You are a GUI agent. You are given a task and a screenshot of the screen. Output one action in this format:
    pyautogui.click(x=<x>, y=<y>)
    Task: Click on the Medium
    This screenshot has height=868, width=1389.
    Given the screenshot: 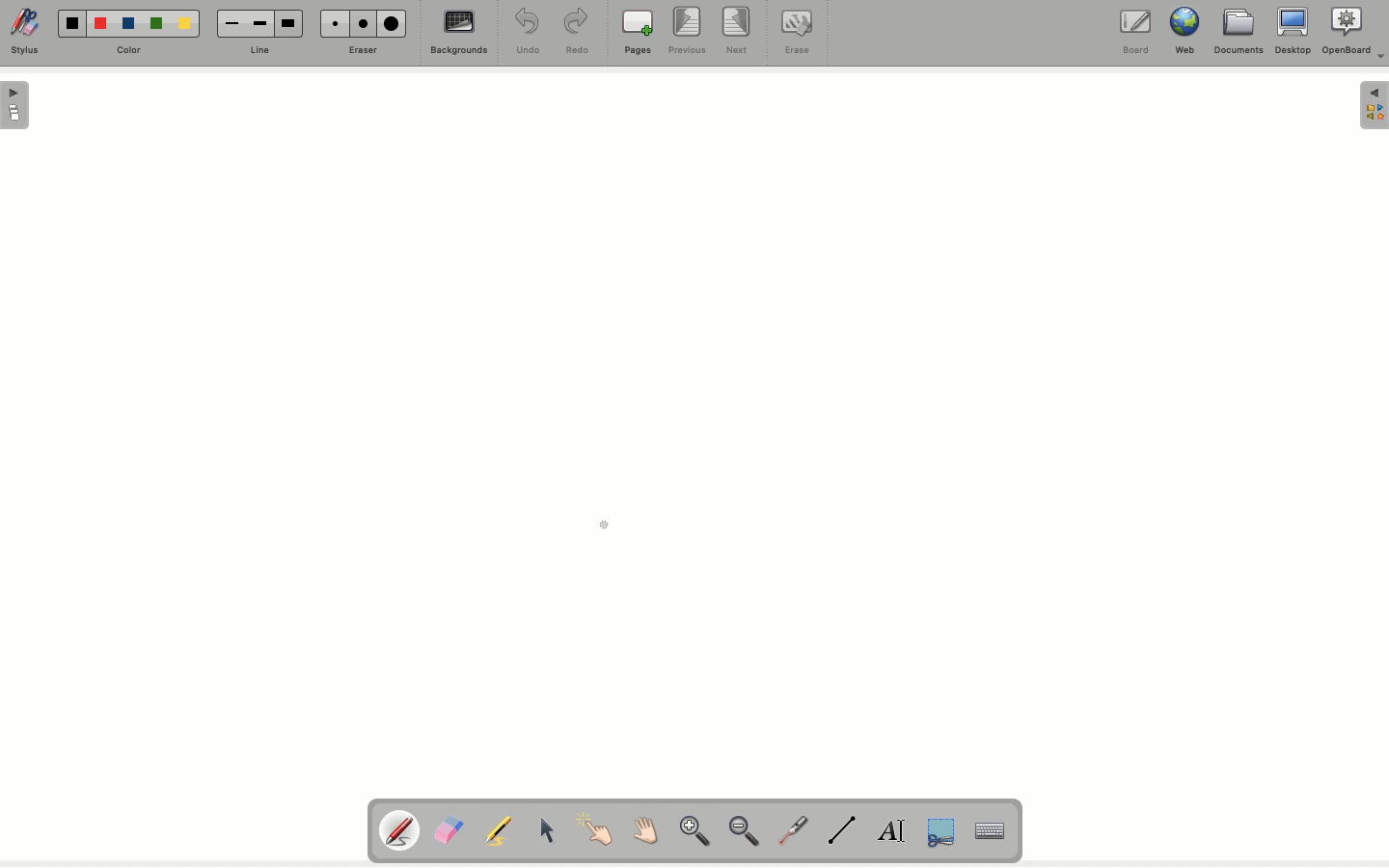 What is the action you would take?
    pyautogui.click(x=366, y=24)
    